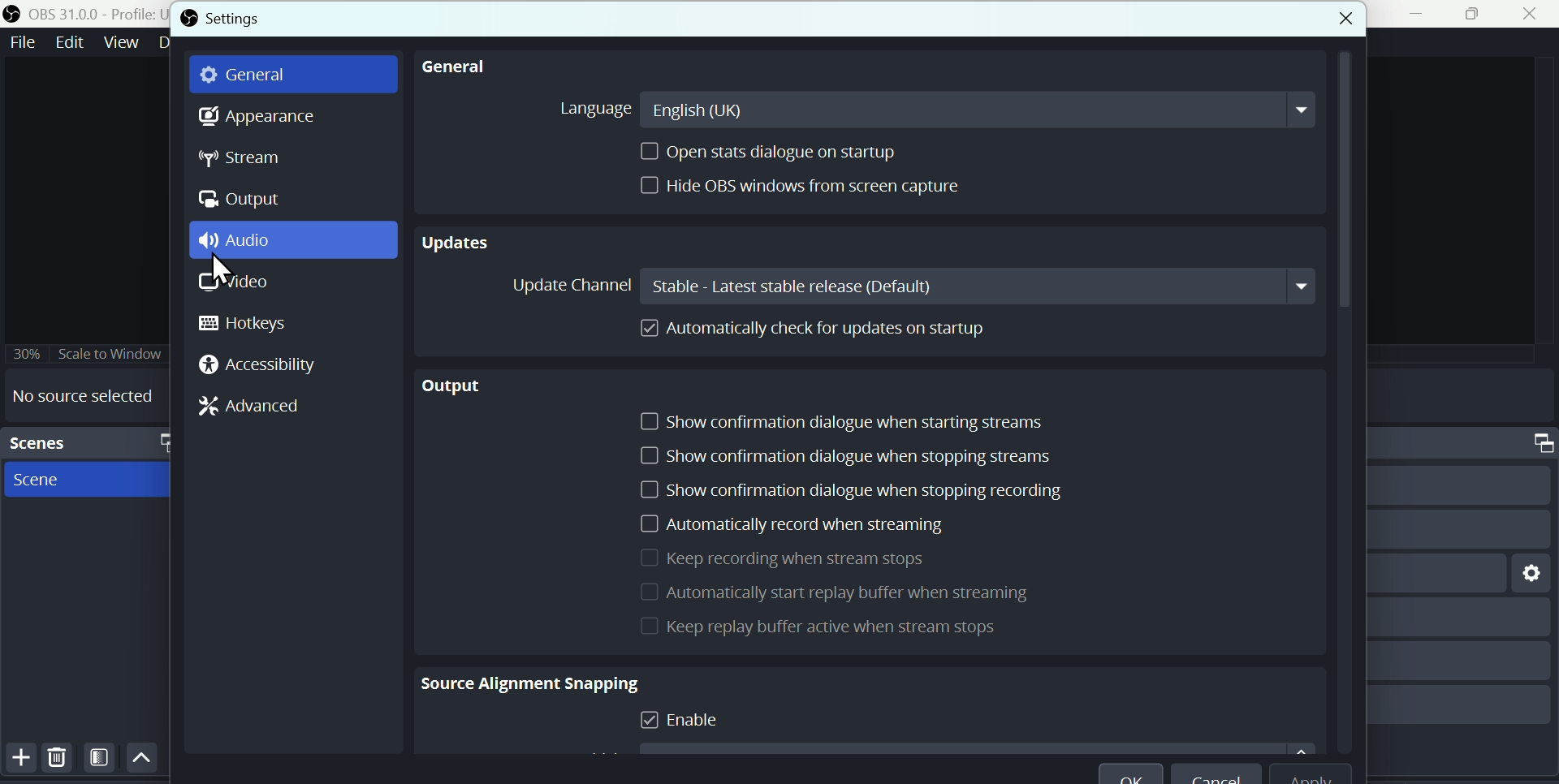 This screenshot has height=784, width=1559. What do you see at coordinates (262, 366) in the screenshot?
I see `Accessibility` at bounding box center [262, 366].